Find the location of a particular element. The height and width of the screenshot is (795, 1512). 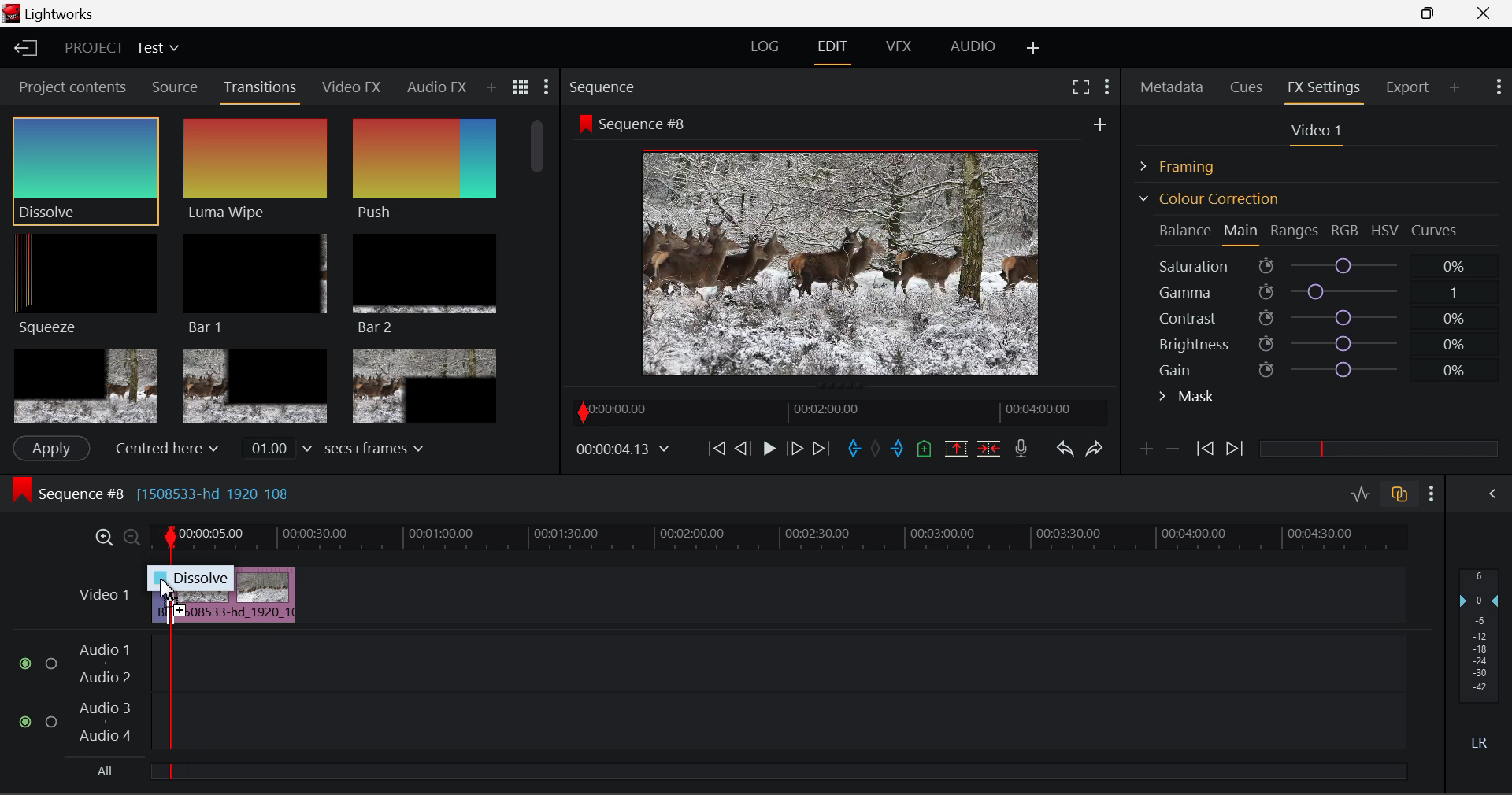

Full Screen is located at coordinates (1080, 86).